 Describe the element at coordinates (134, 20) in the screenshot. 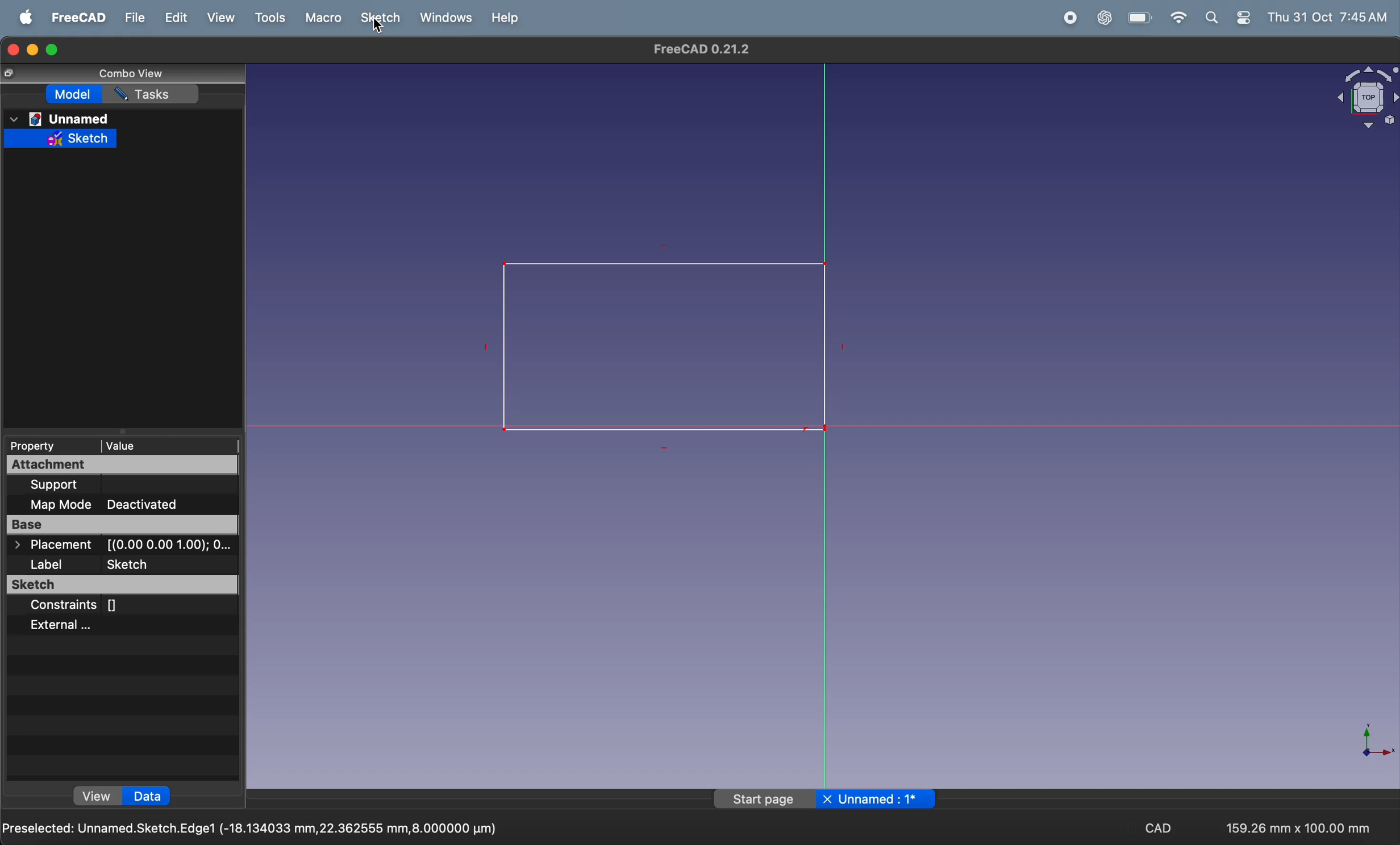

I see `file` at that location.